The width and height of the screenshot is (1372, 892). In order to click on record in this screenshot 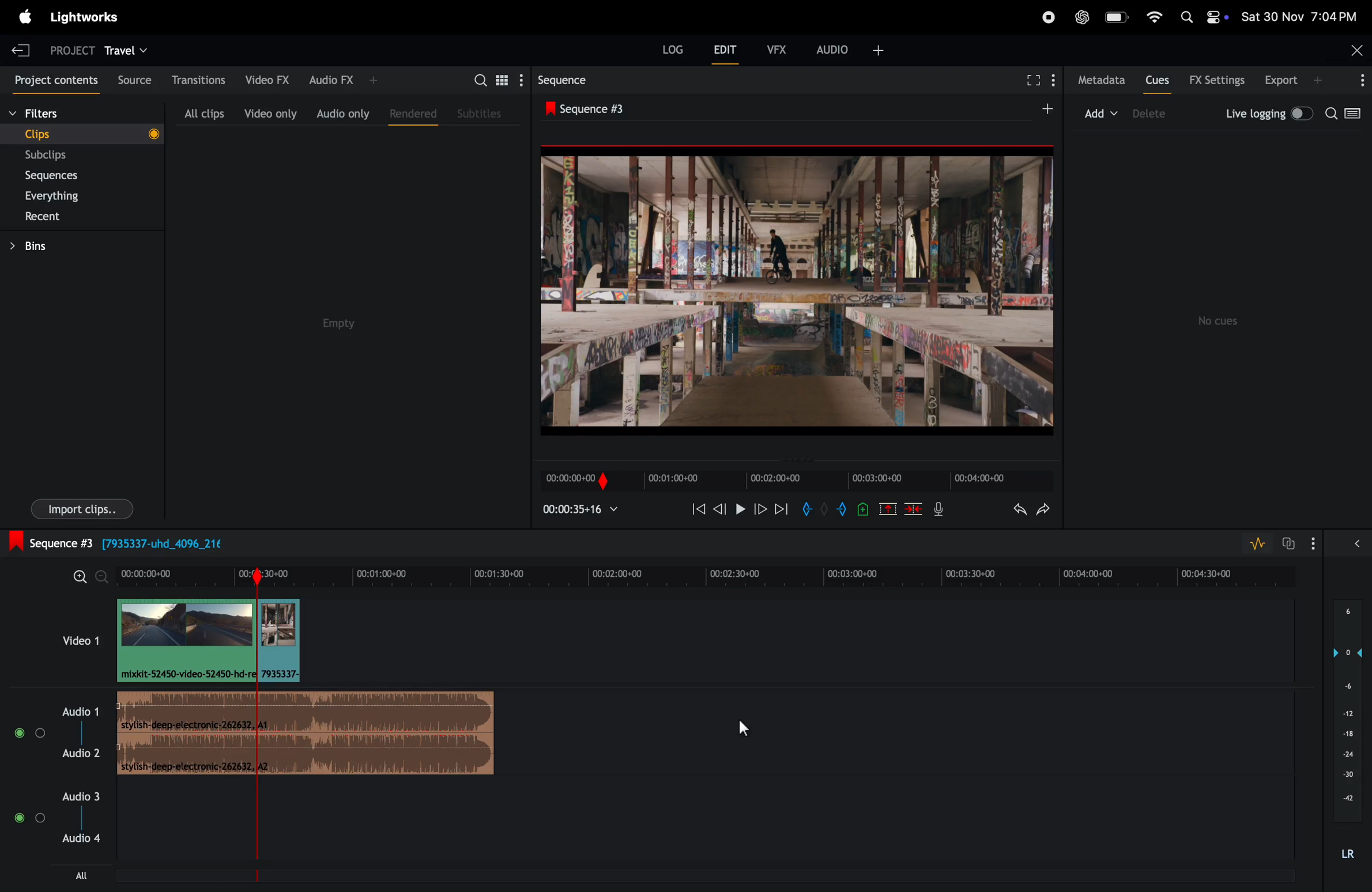, I will do `click(1046, 16)`.